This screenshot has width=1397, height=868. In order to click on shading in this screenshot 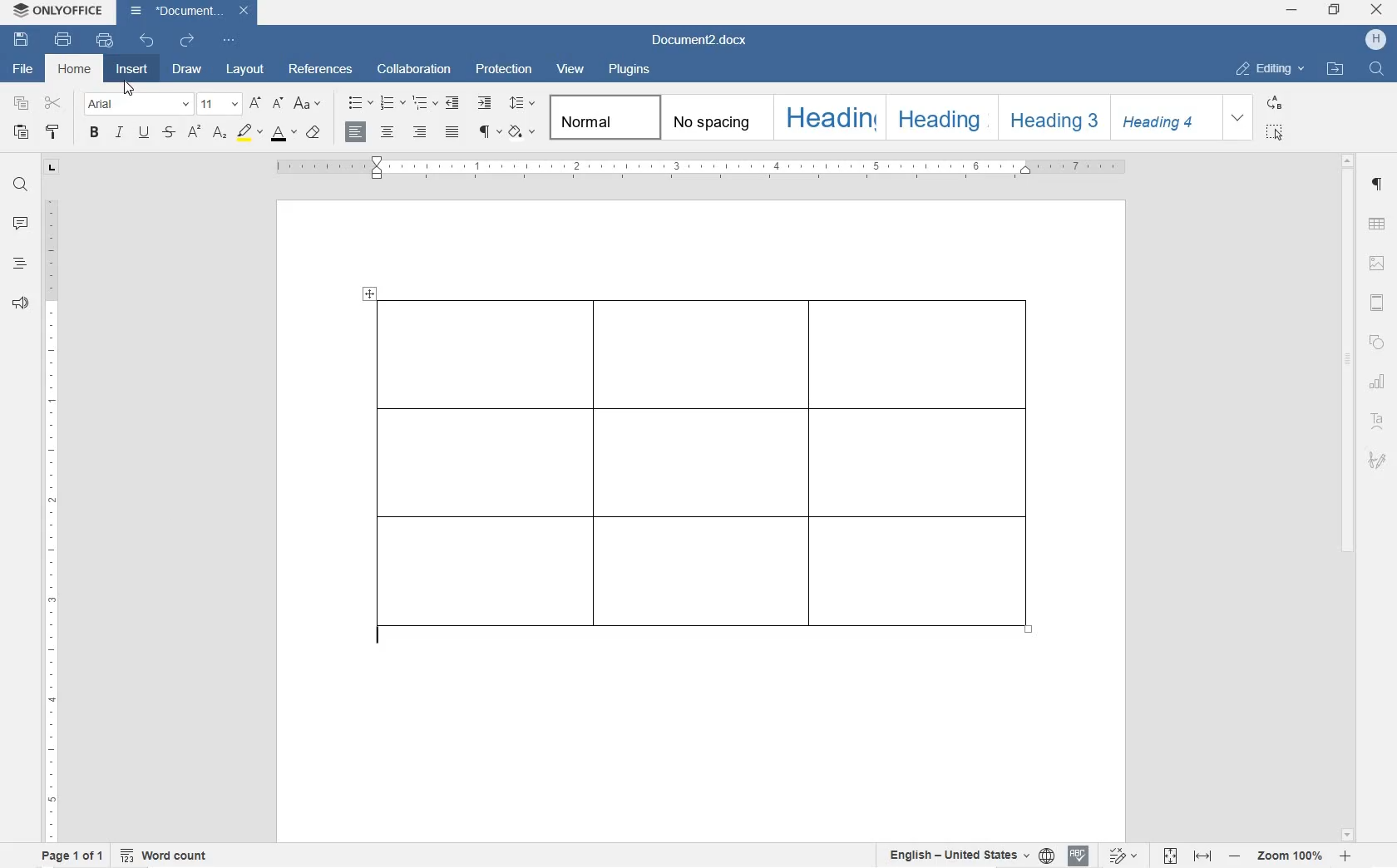, I will do `click(525, 131)`.